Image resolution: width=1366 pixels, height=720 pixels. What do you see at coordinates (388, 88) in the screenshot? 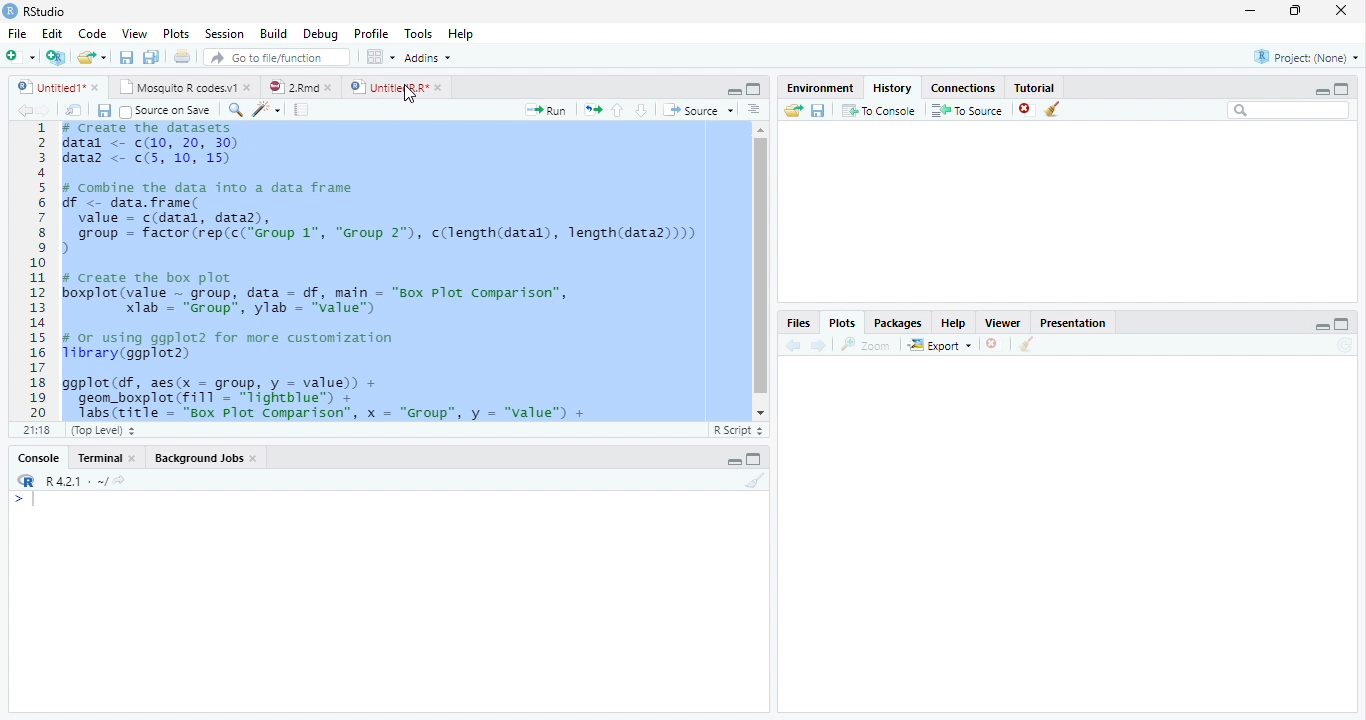
I see `UntitledR.R*` at bounding box center [388, 88].